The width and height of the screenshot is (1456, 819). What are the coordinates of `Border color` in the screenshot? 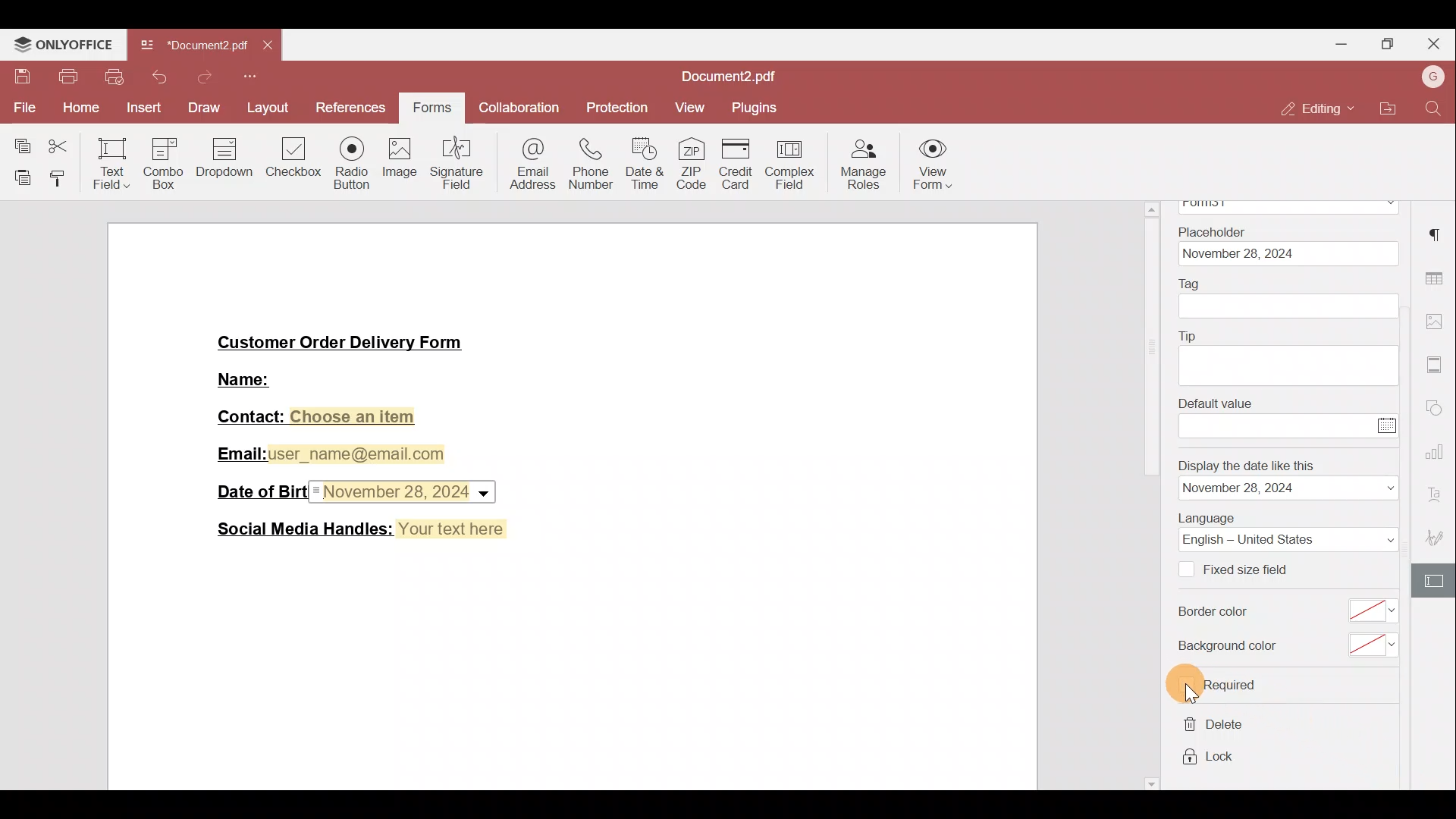 It's located at (1216, 612).